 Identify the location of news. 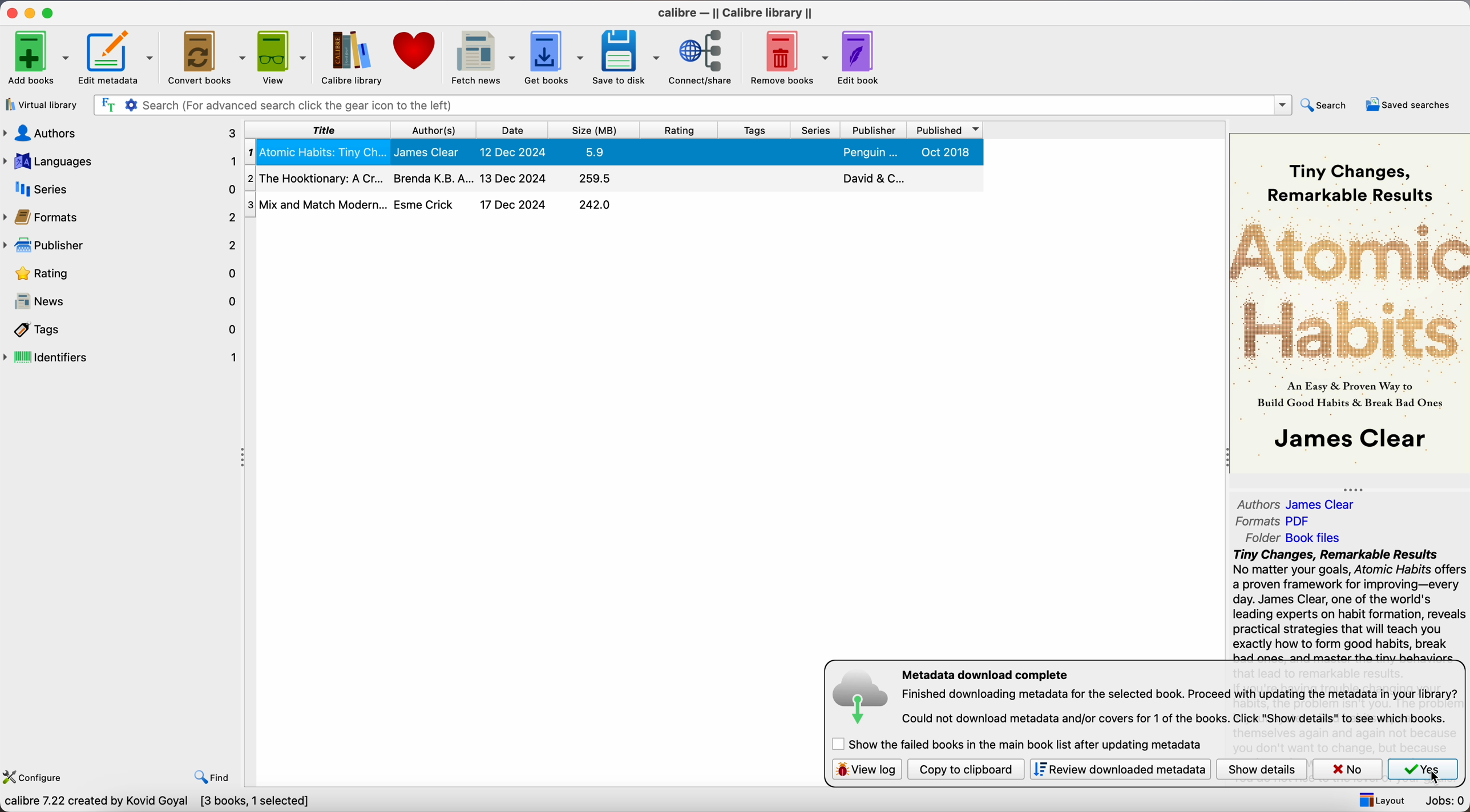
(124, 300).